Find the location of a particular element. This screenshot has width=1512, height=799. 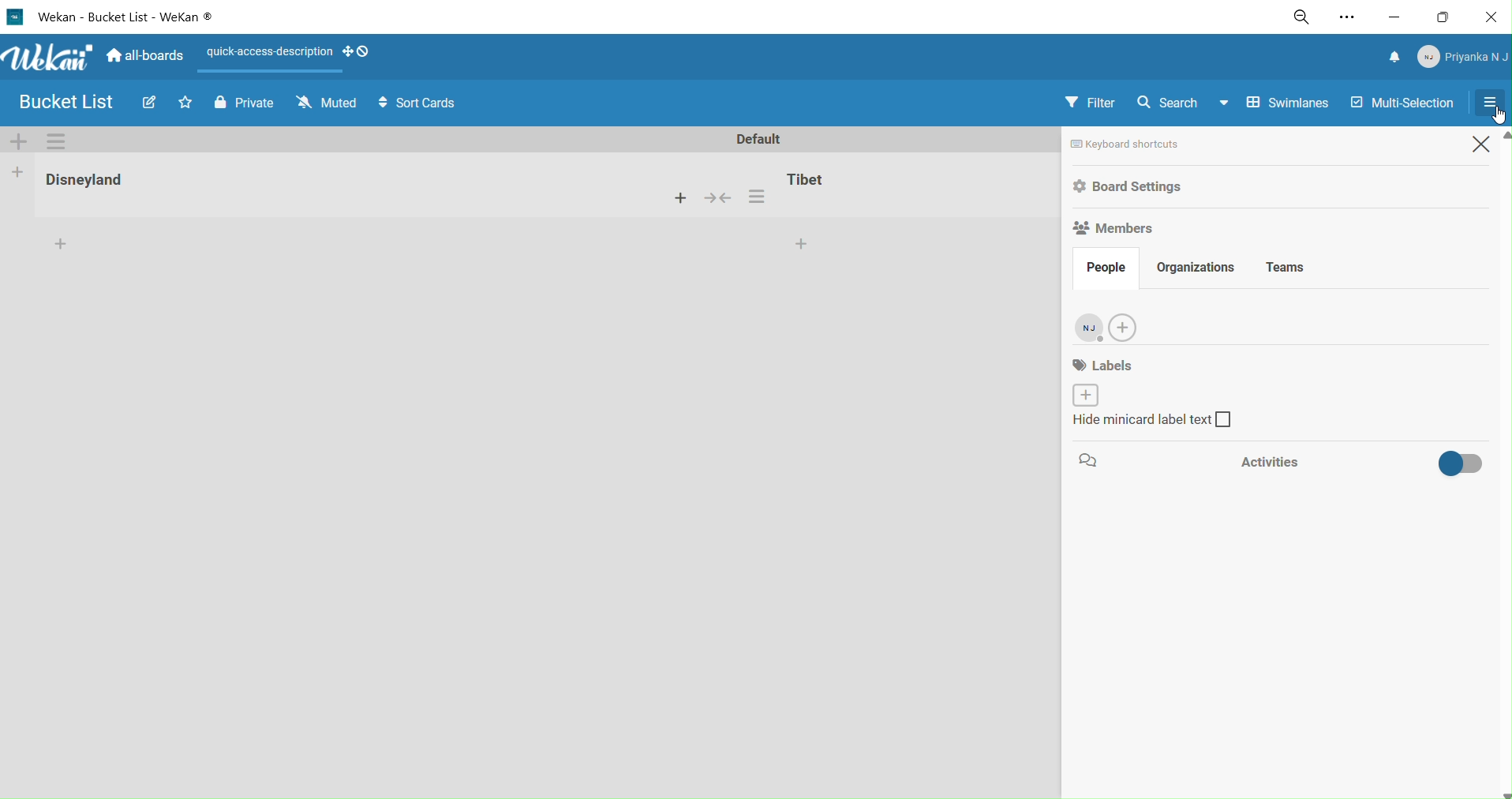

disneyland is located at coordinates (406, 171).